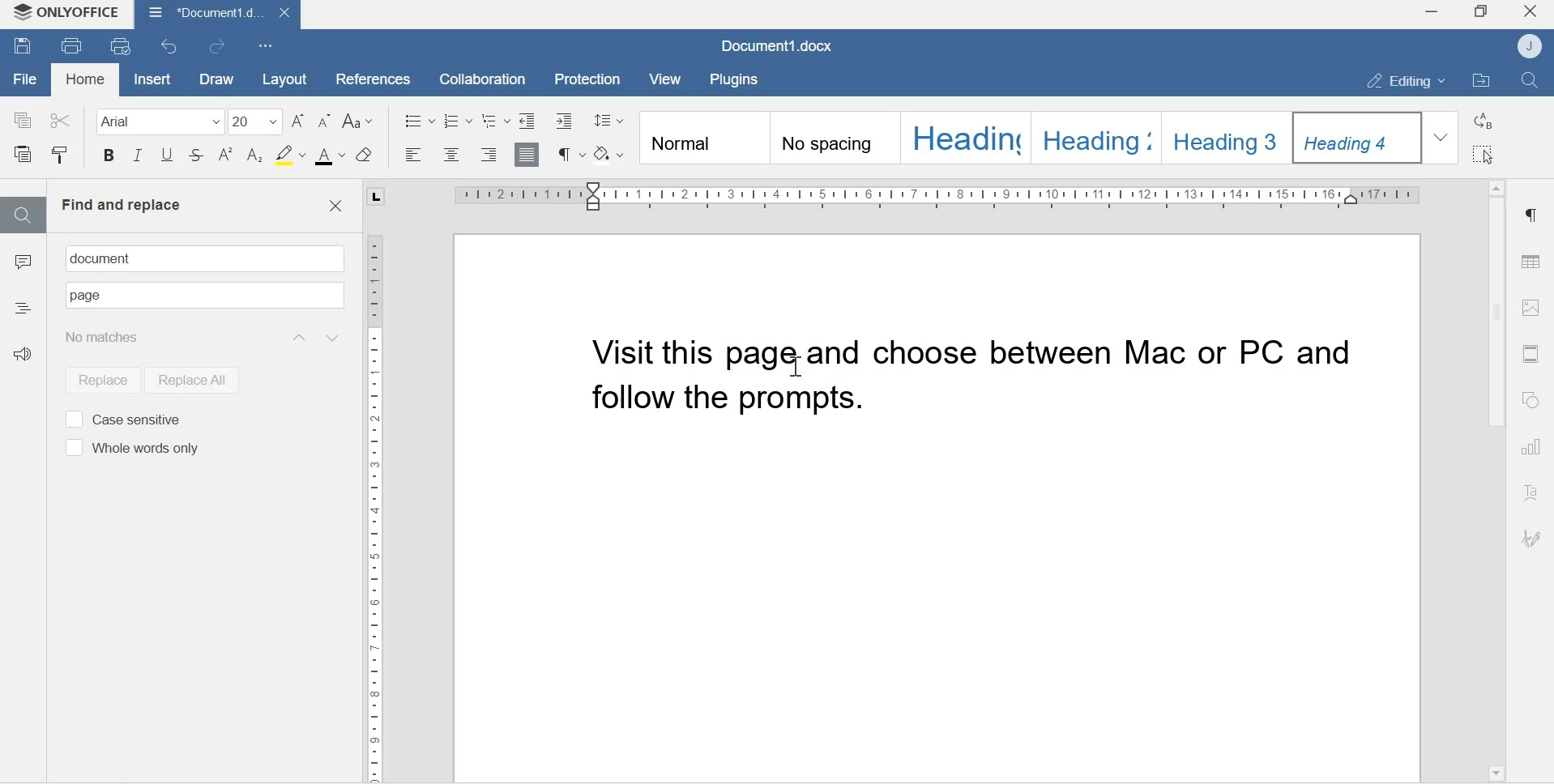 The width and height of the screenshot is (1554, 784). What do you see at coordinates (419, 119) in the screenshot?
I see `Bullets` at bounding box center [419, 119].